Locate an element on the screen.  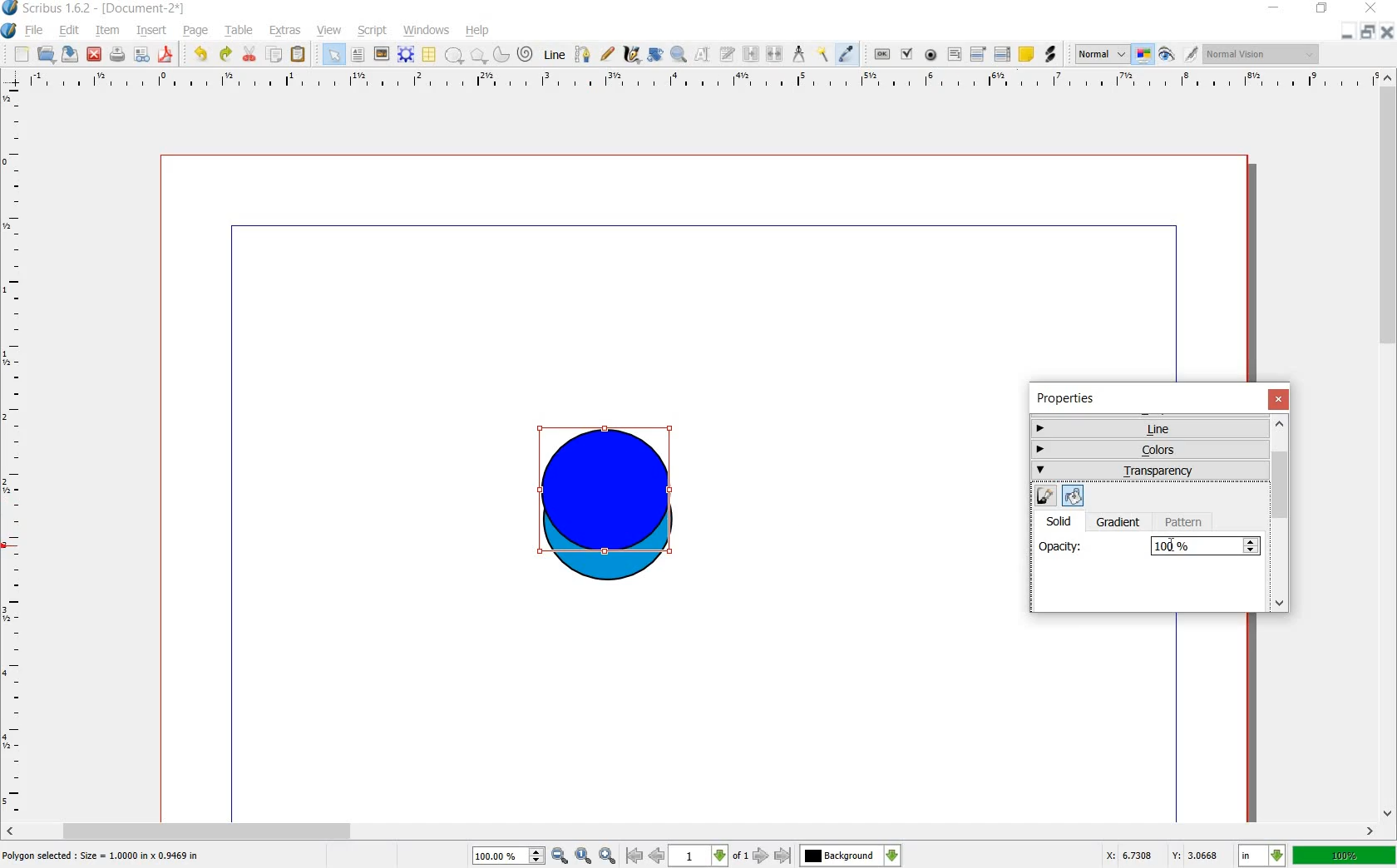
table is located at coordinates (428, 55).